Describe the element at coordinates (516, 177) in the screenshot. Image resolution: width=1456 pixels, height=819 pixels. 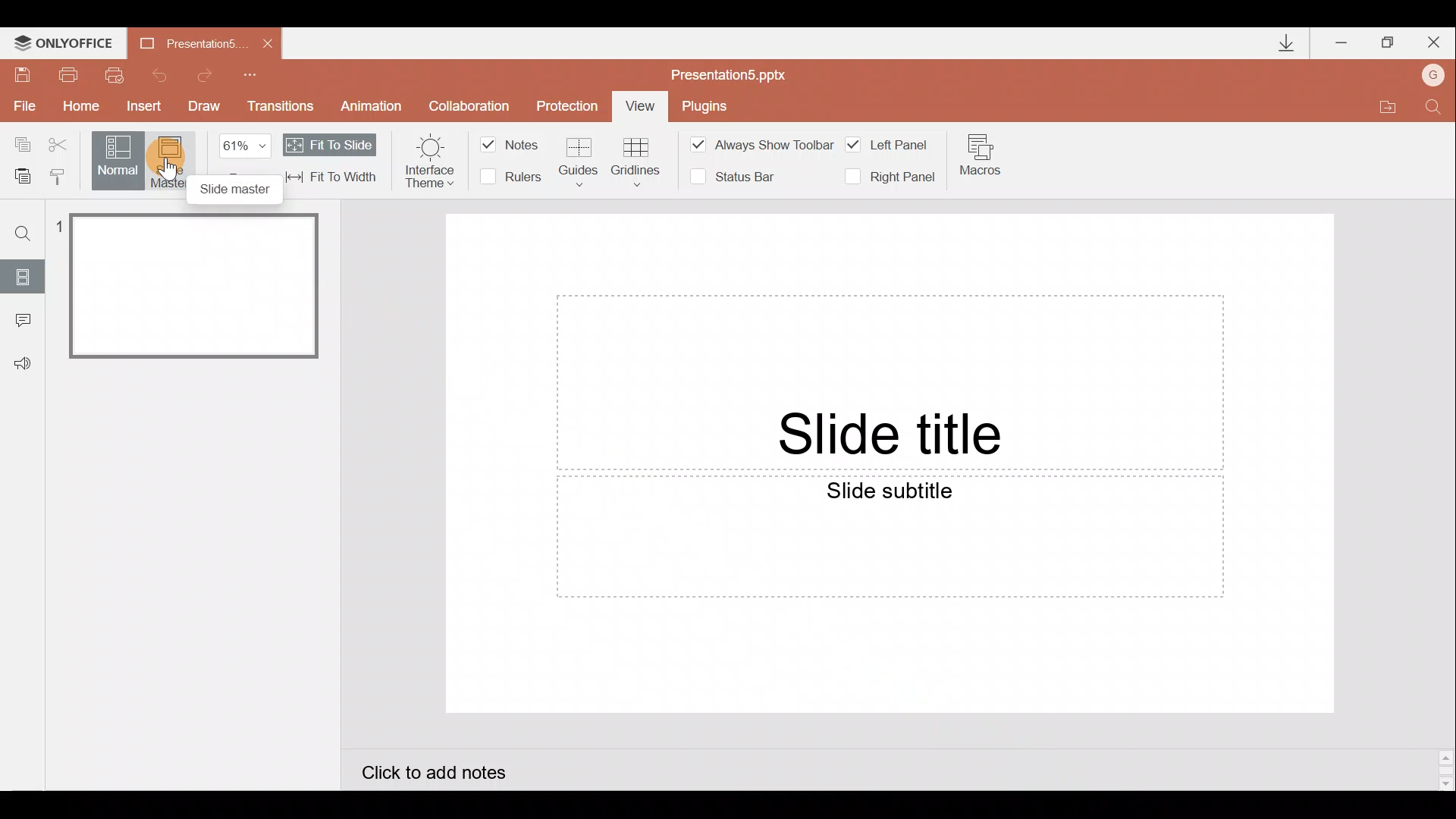
I see `Rulers` at that location.